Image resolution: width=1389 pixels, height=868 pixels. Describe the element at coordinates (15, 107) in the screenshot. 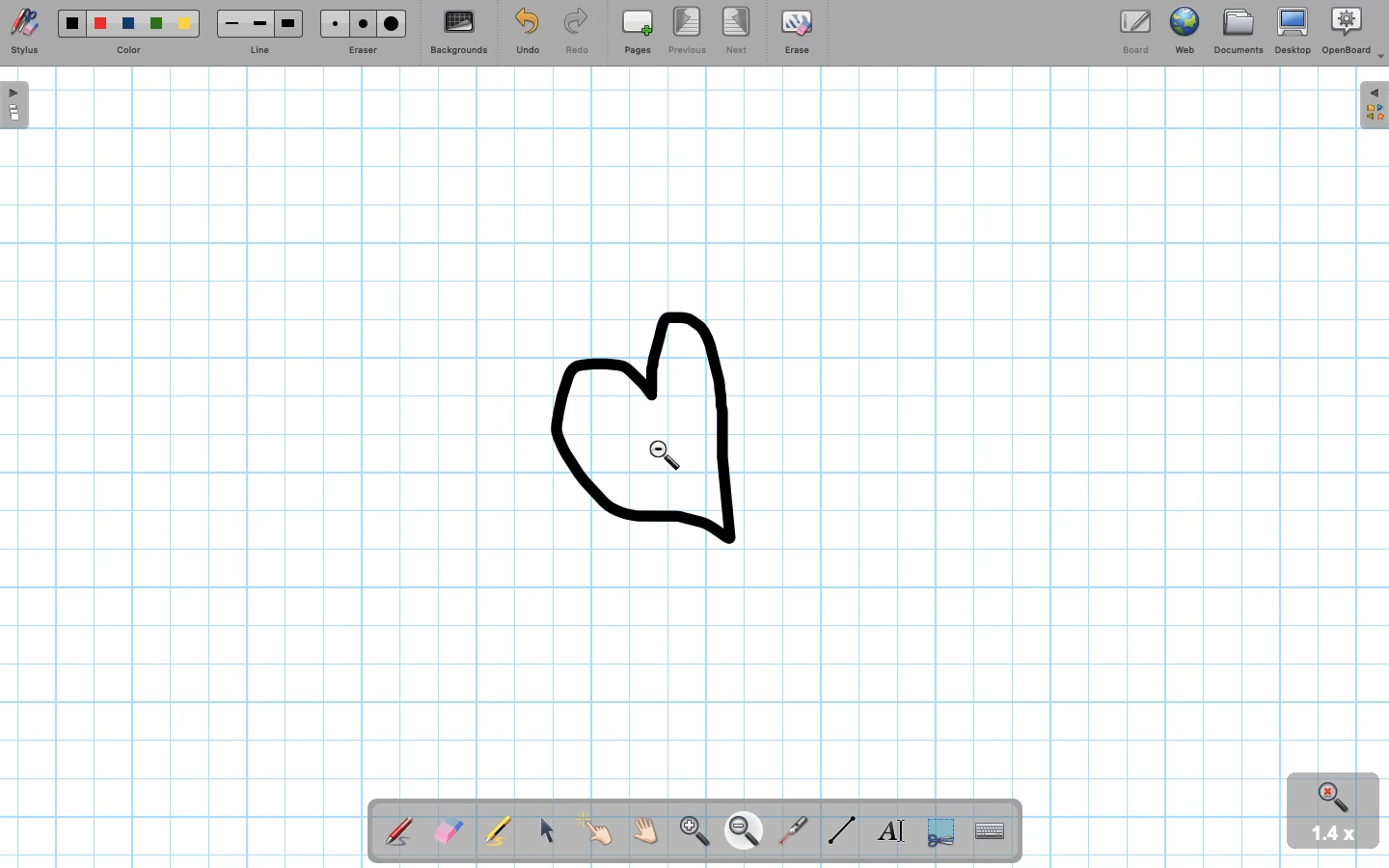

I see `Open board` at that location.